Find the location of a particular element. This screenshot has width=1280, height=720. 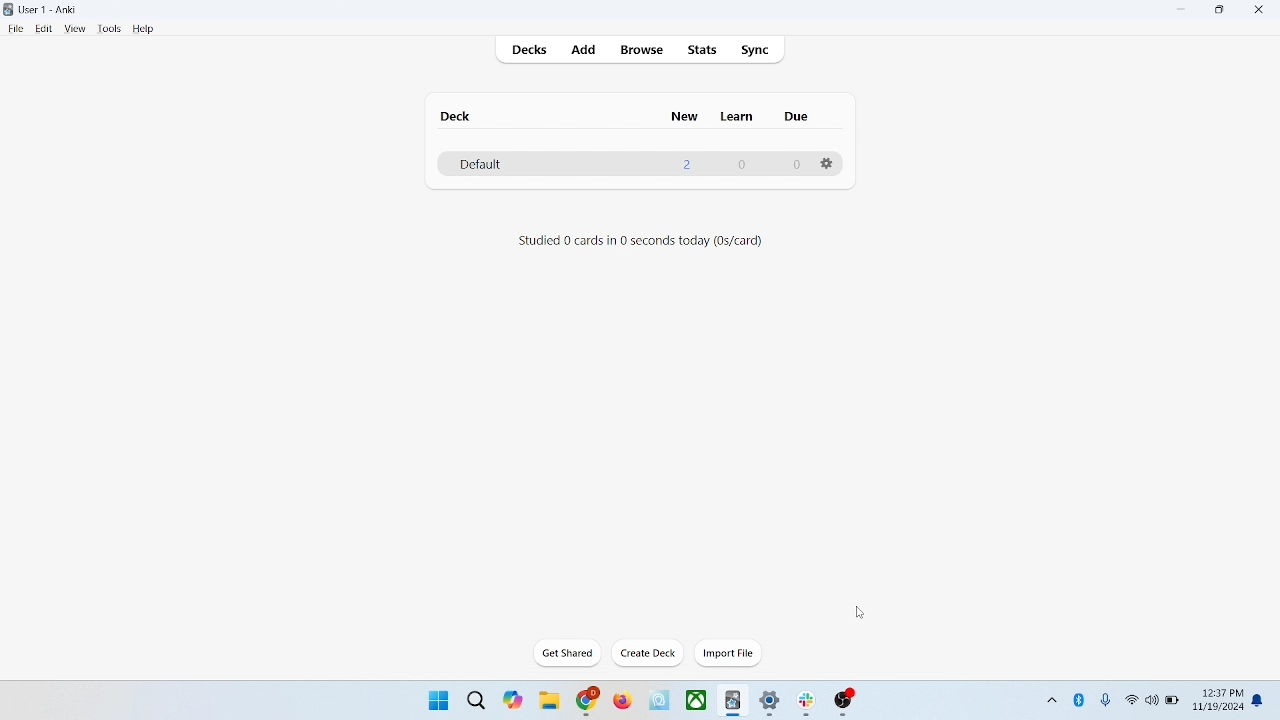

settings is located at coordinates (771, 704).